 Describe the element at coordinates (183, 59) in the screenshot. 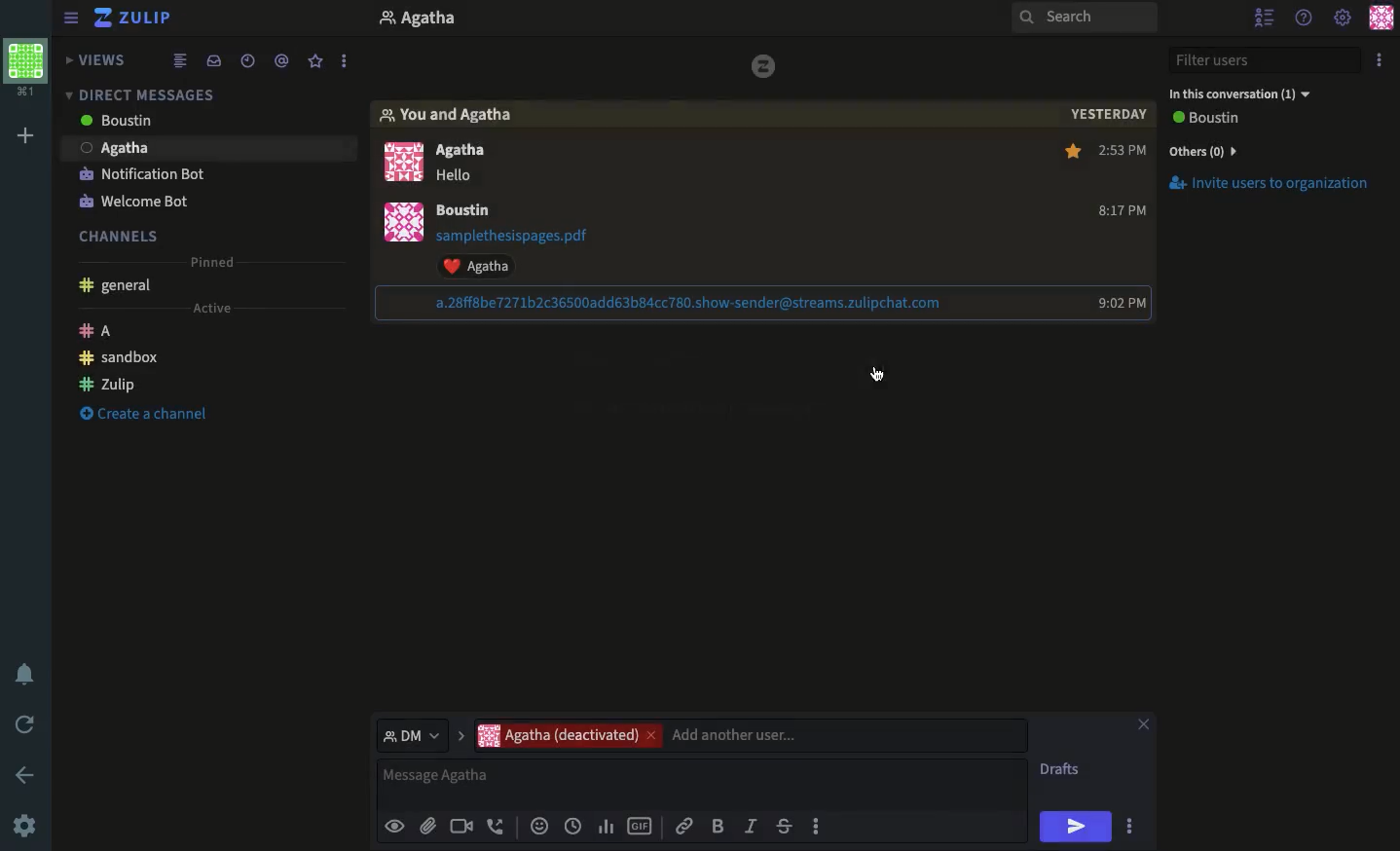

I see `Feed` at that location.